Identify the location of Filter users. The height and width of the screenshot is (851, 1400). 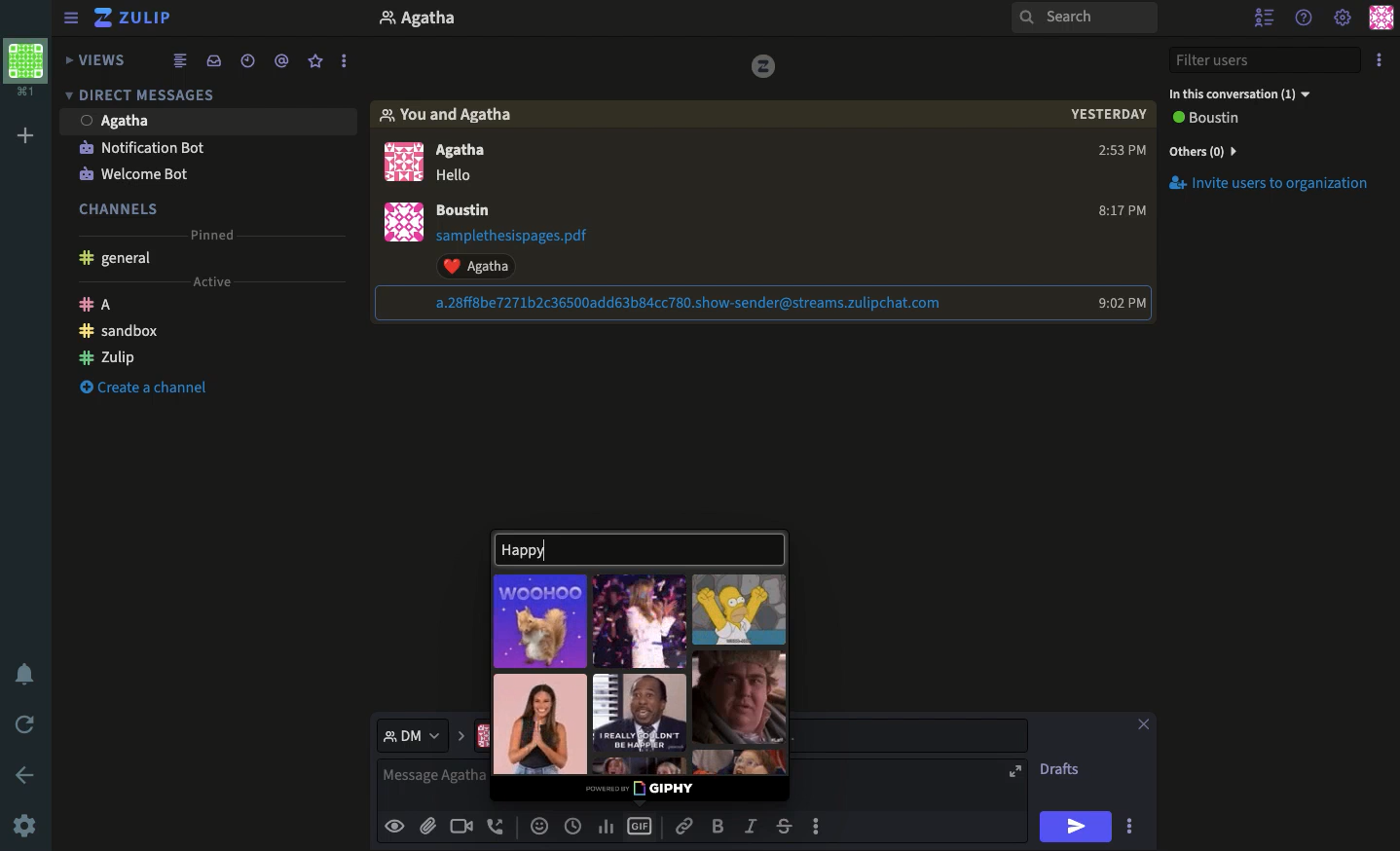
(1266, 61).